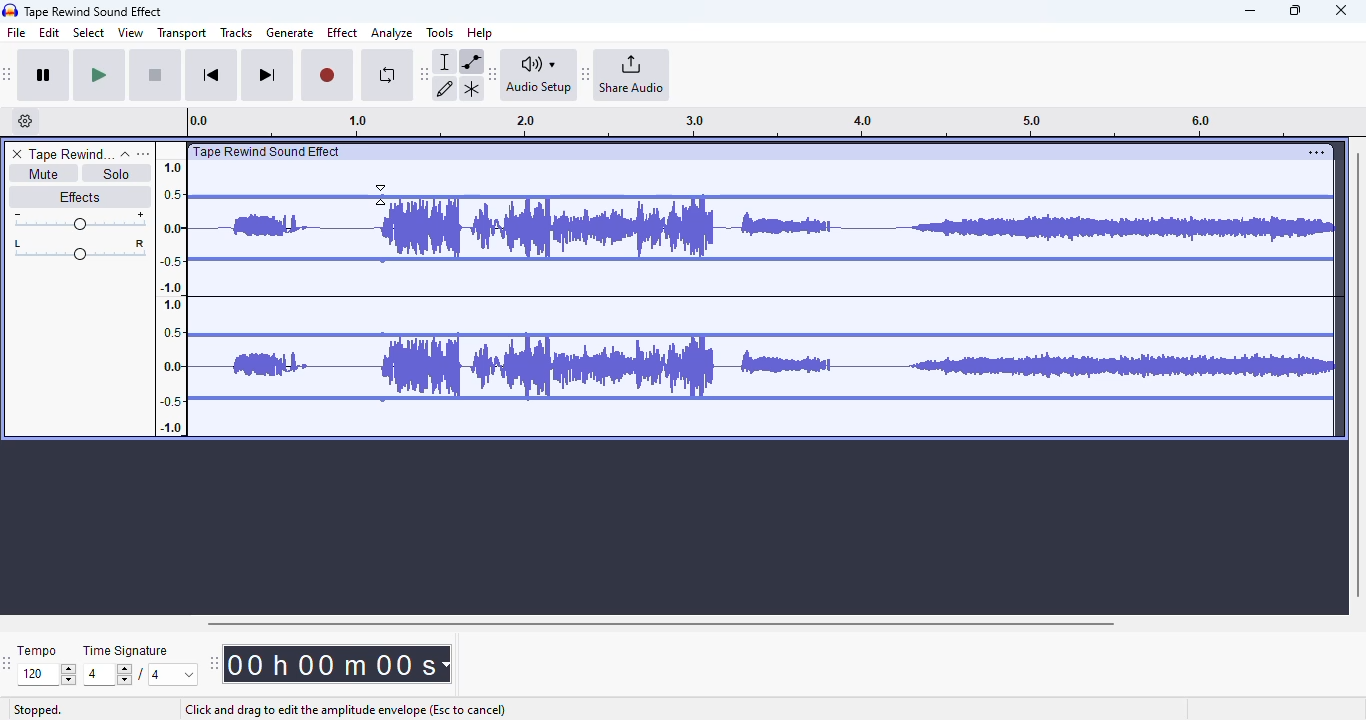 The width and height of the screenshot is (1366, 720). I want to click on delete track, so click(17, 154).